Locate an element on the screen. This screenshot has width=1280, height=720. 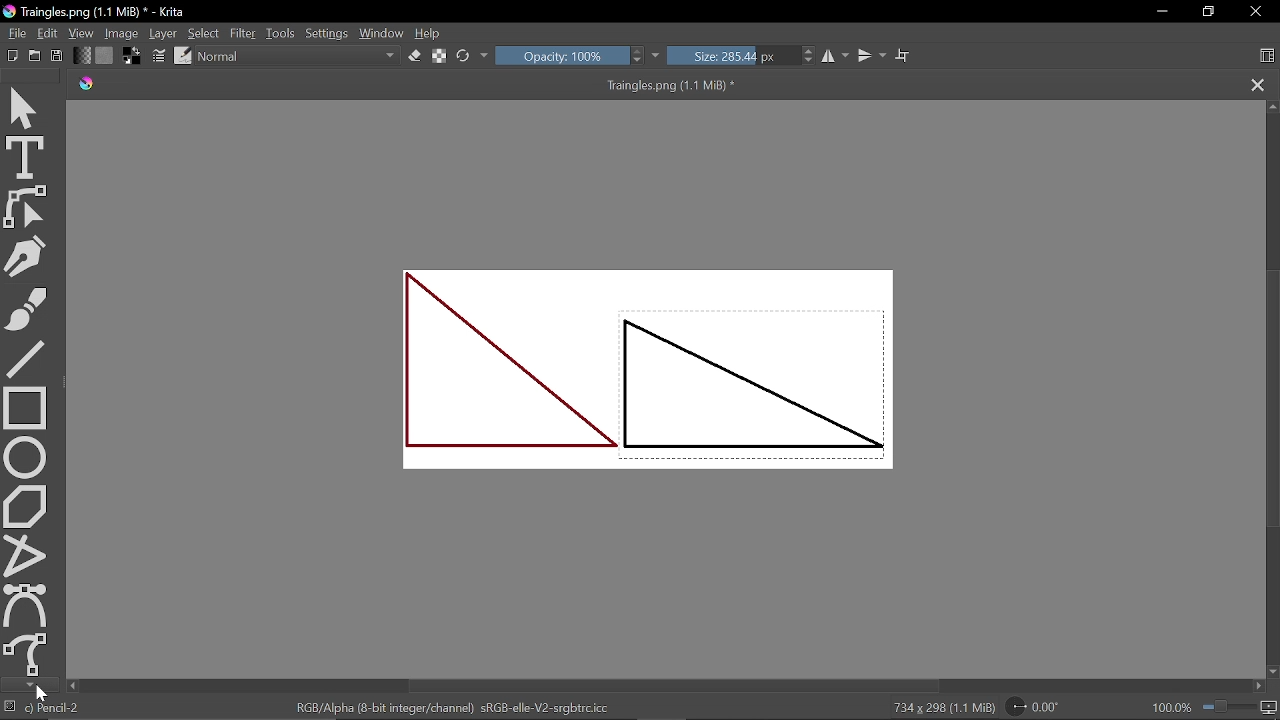
Wrap text tool is located at coordinates (904, 56).